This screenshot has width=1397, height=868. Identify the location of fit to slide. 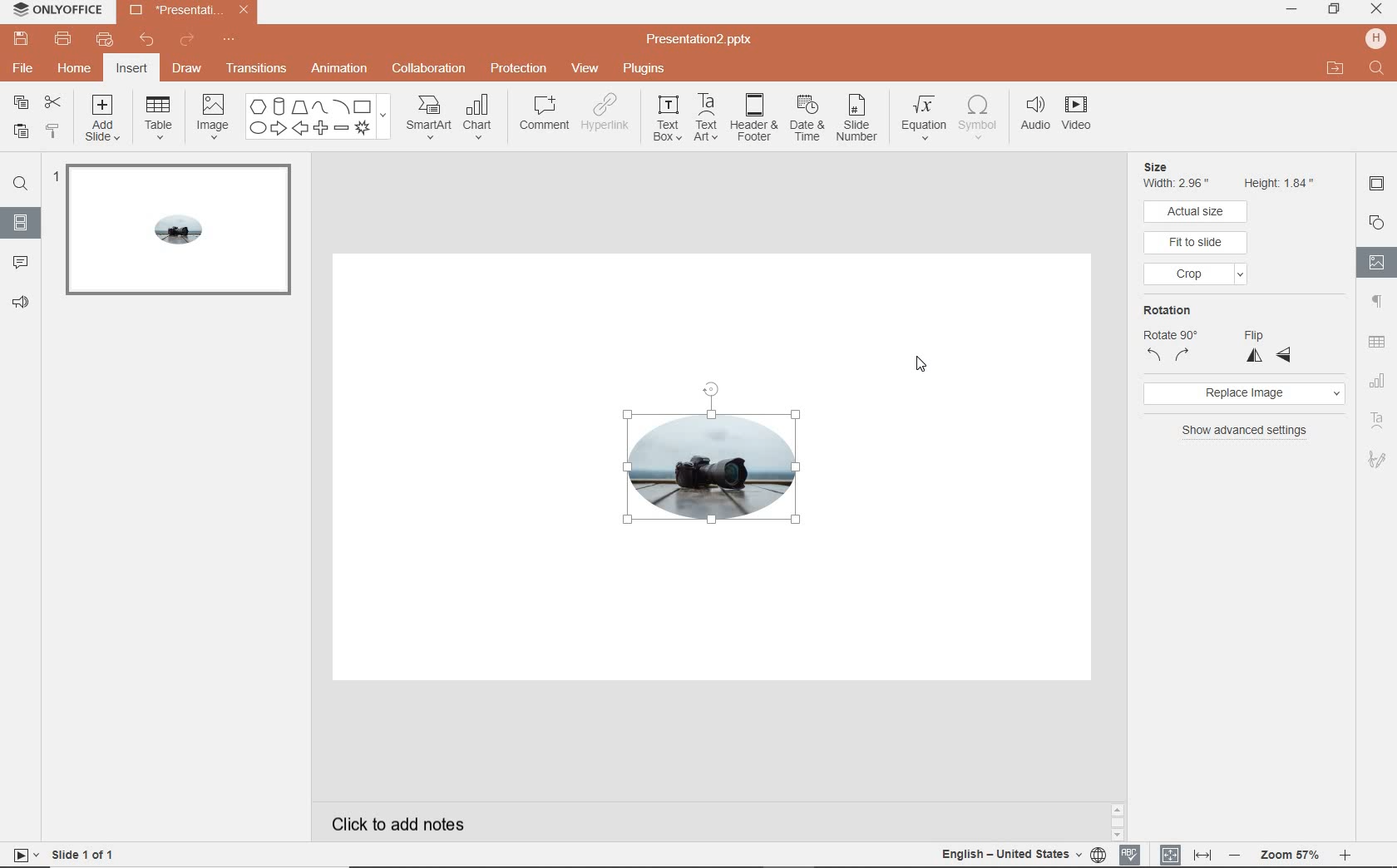
(1197, 243).